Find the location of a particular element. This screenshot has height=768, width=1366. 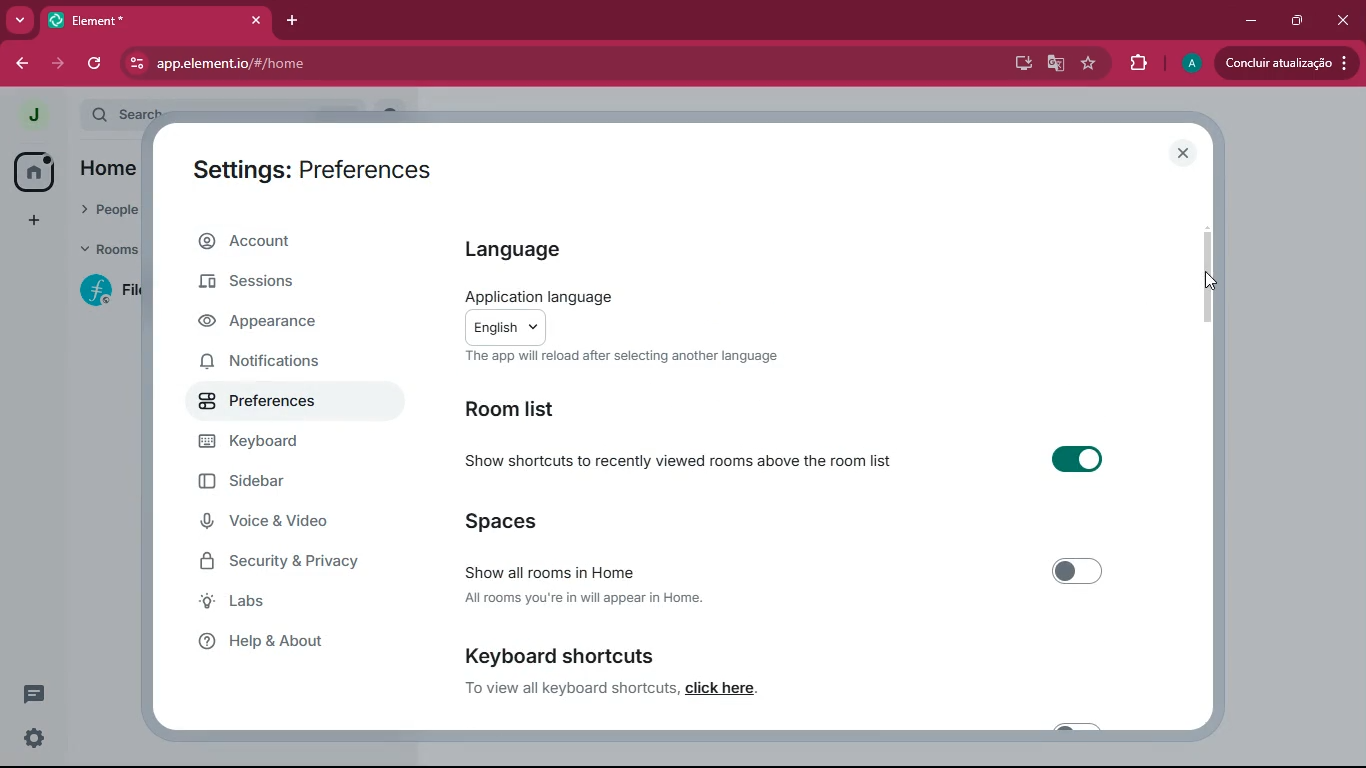

click here is located at coordinates (724, 689).